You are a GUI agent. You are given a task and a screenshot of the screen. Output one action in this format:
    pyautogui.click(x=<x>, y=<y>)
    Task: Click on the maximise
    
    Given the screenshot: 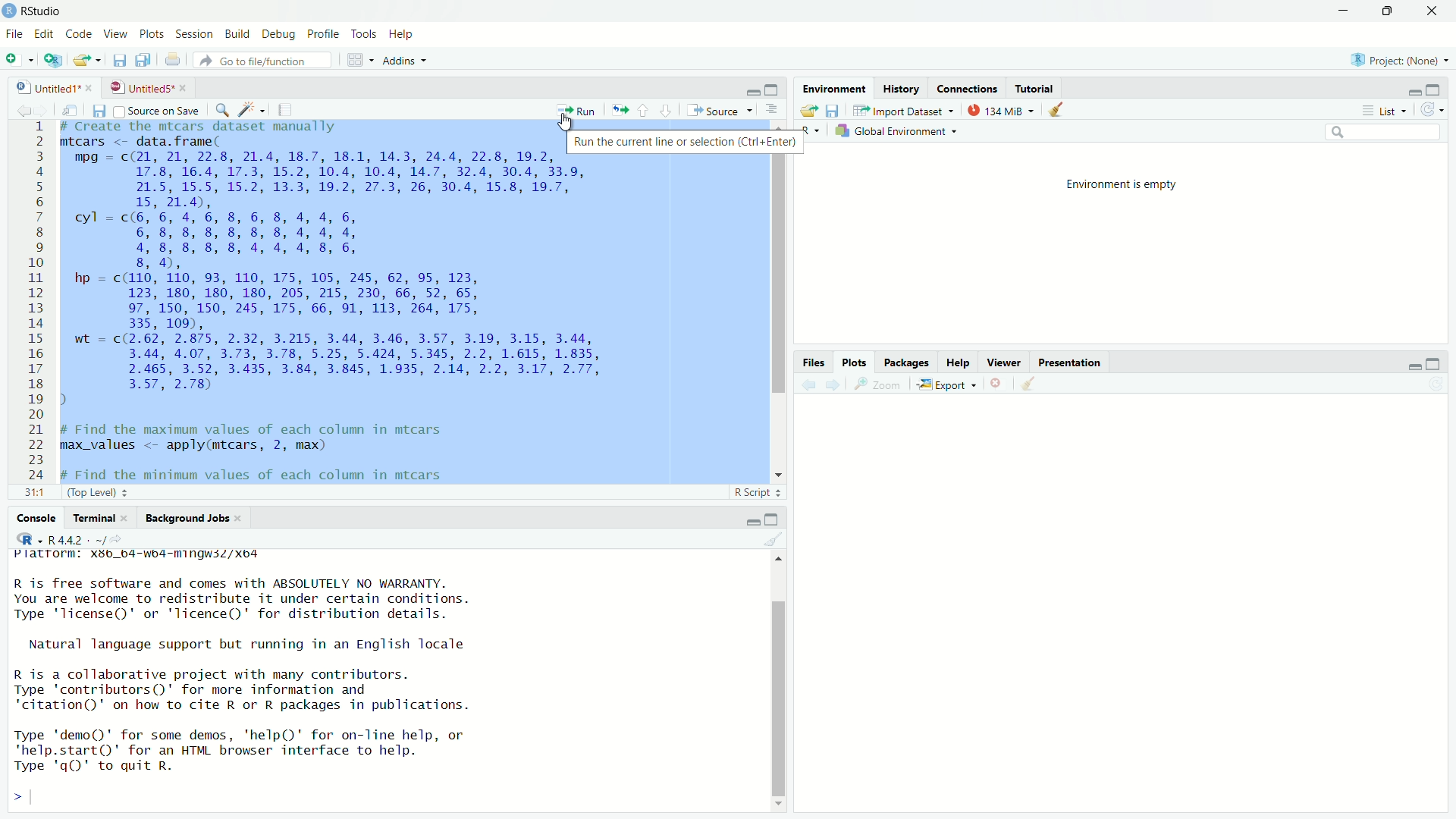 What is the action you would take?
    pyautogui.click(x=1393, y=13)
    